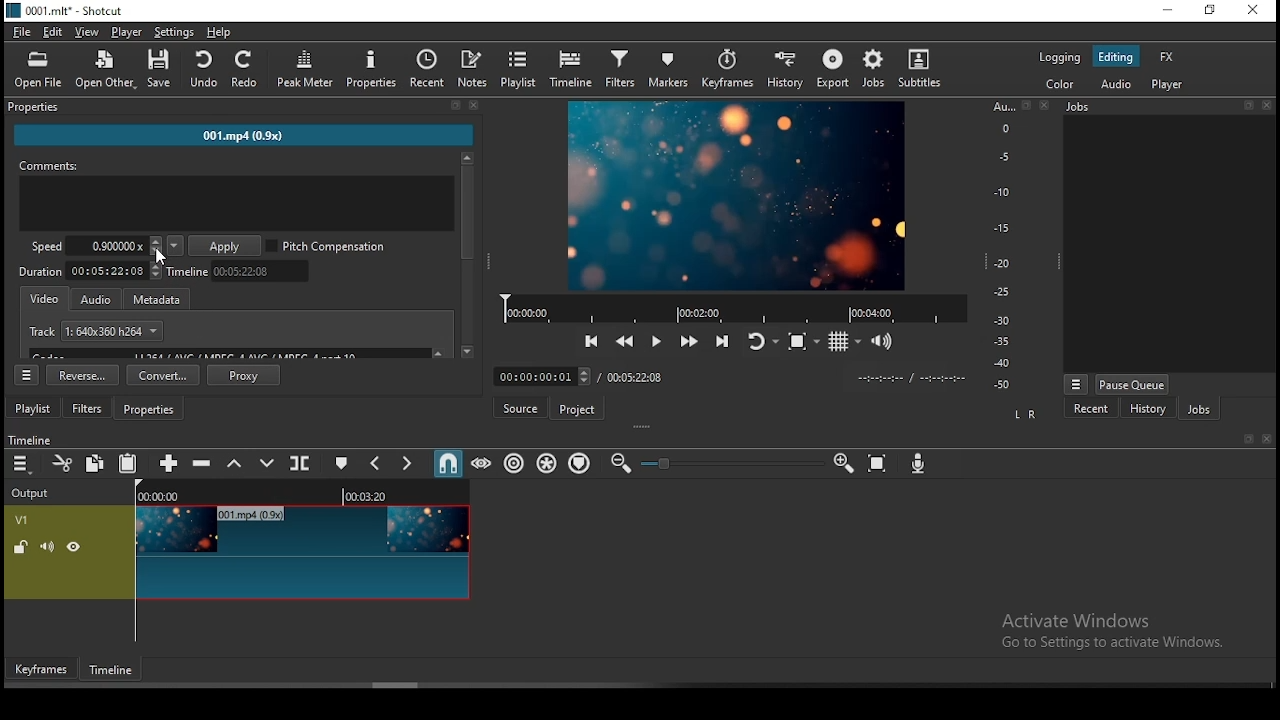 This screenshot has height=720, width=1280. I want to click on filters, so click(620, 68).